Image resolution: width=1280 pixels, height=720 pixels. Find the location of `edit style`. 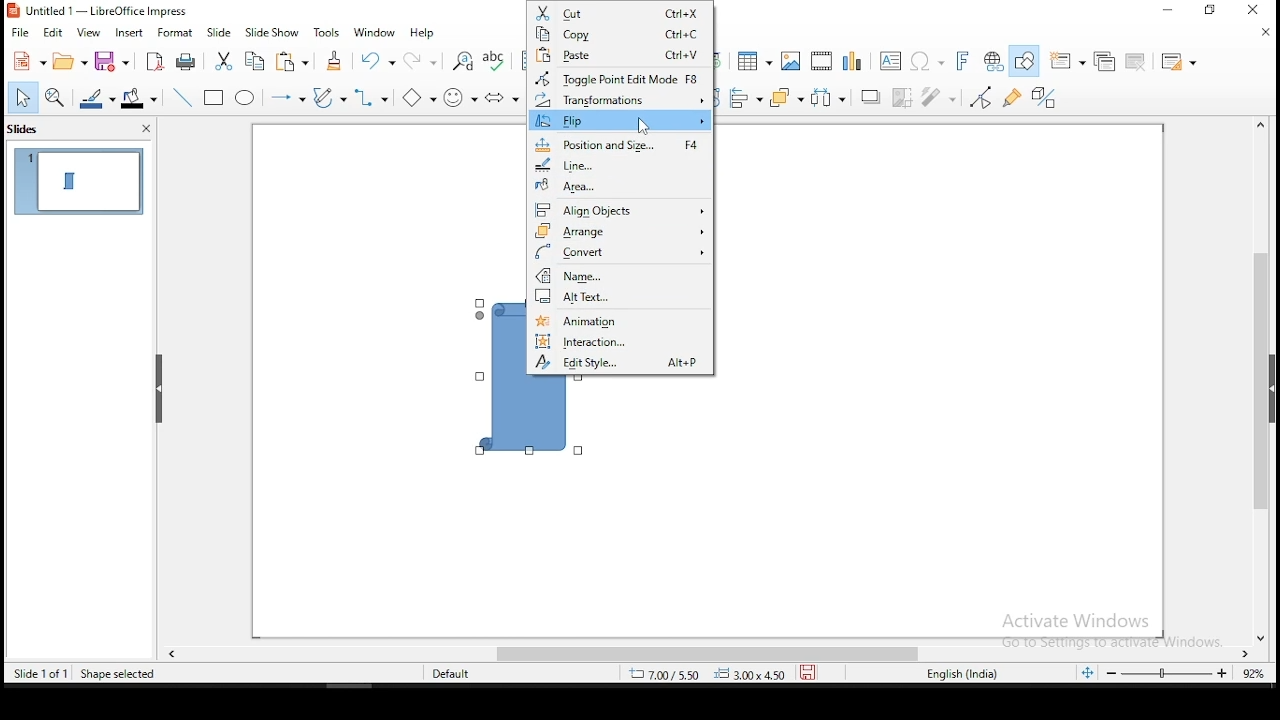

edit style is located at coordinates (623, 363).